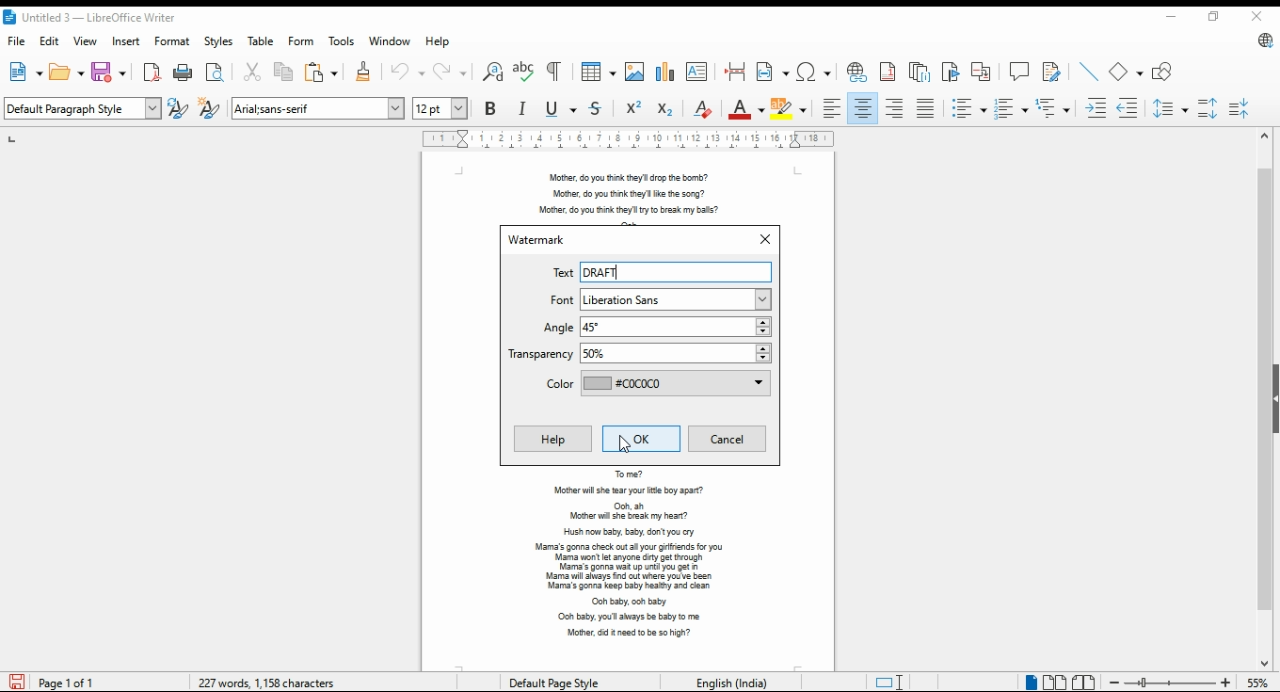 This screenshot has width=1280, height=692. What do you see at coordinates (698, 71) in the screenshot?
I see `insert text box` at bounding box center [698, 71].